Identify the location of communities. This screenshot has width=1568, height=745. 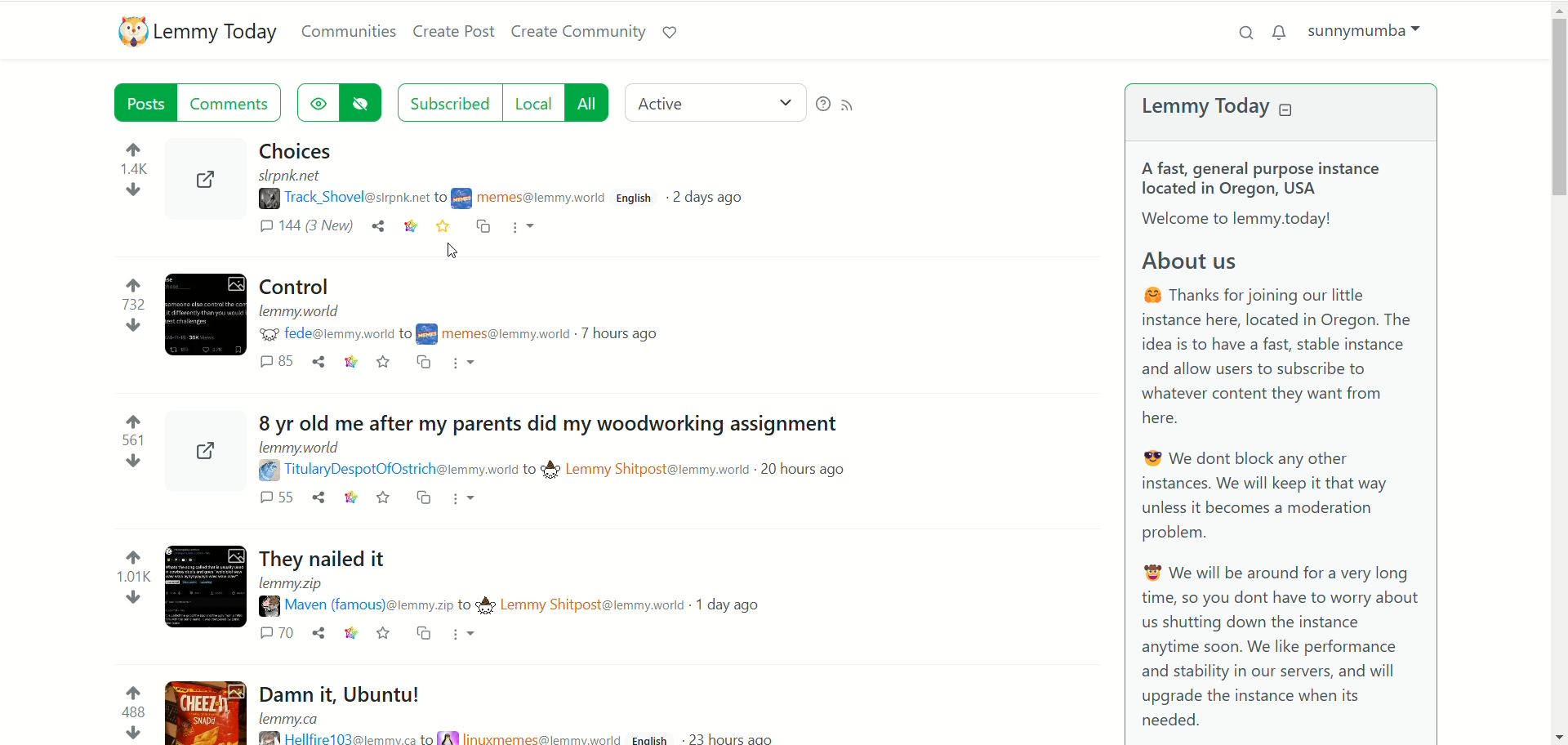
(350, 32).